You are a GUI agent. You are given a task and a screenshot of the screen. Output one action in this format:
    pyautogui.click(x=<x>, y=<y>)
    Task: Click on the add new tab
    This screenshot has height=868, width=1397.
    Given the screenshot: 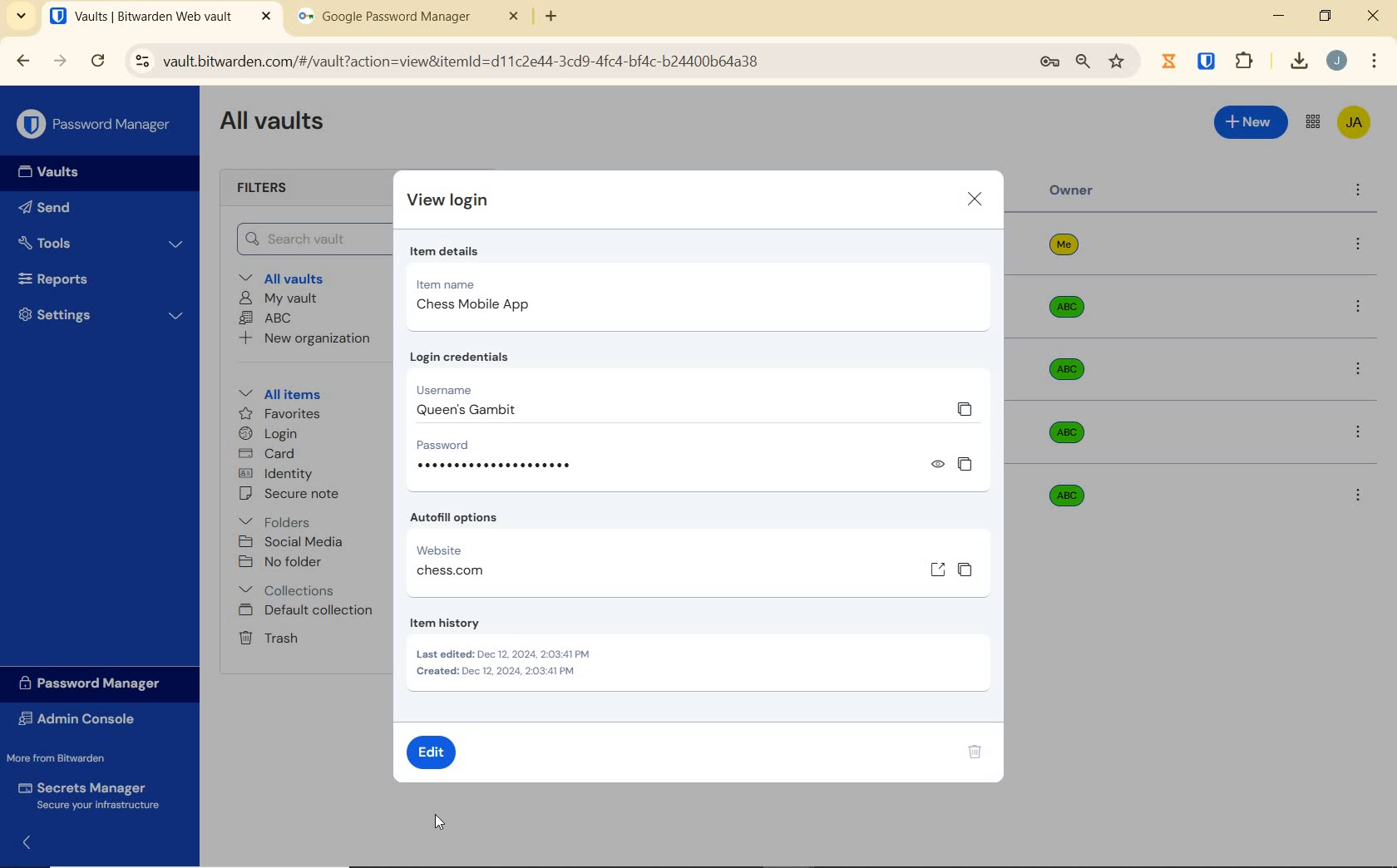 What is the action you would take?
    pyautogui.click(x=564, y=21)
    